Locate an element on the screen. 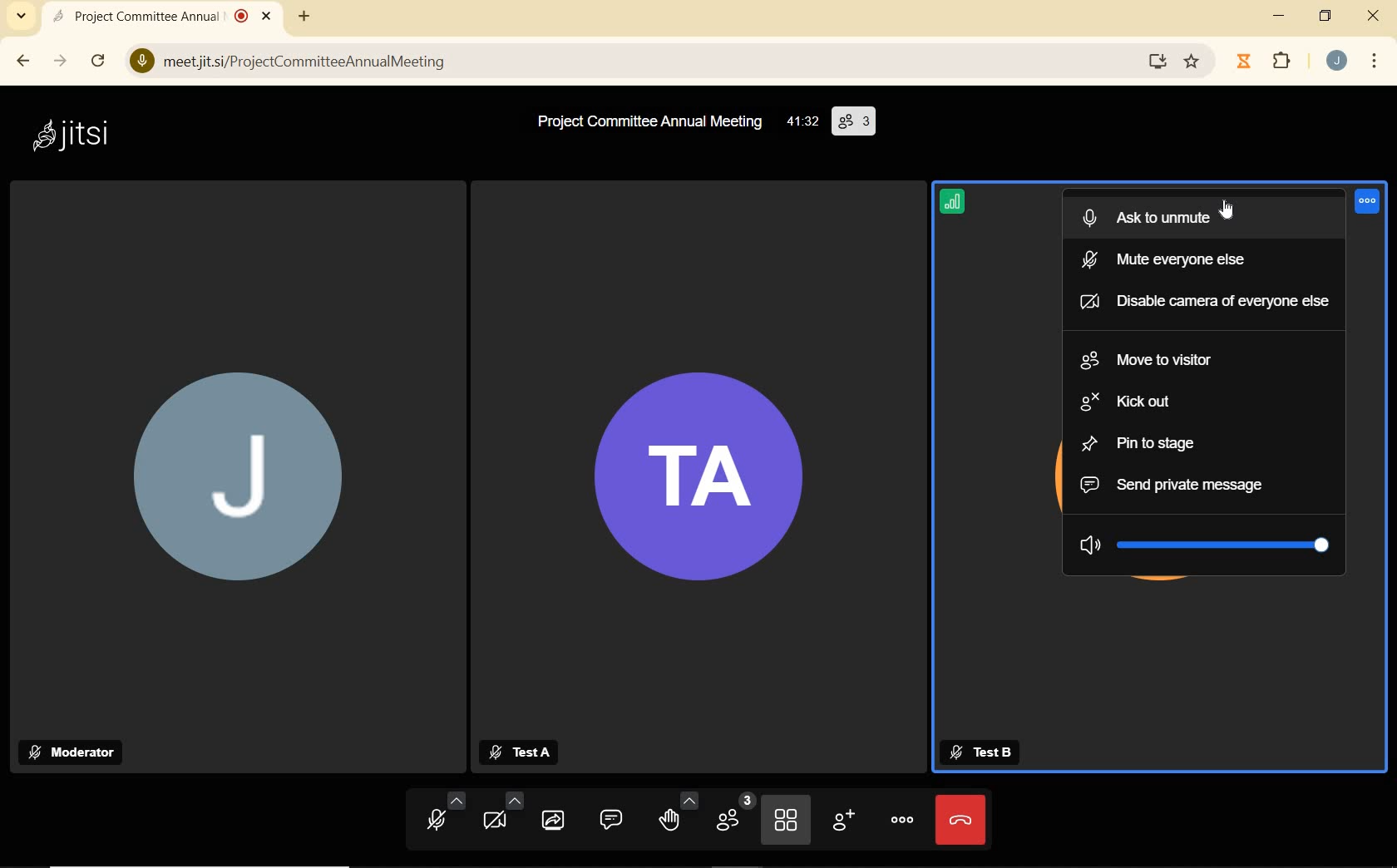 Image resolution: width=1397 pixels, height=868 pixels. PIN TO STAGE is located at coordinates (1202, 442).